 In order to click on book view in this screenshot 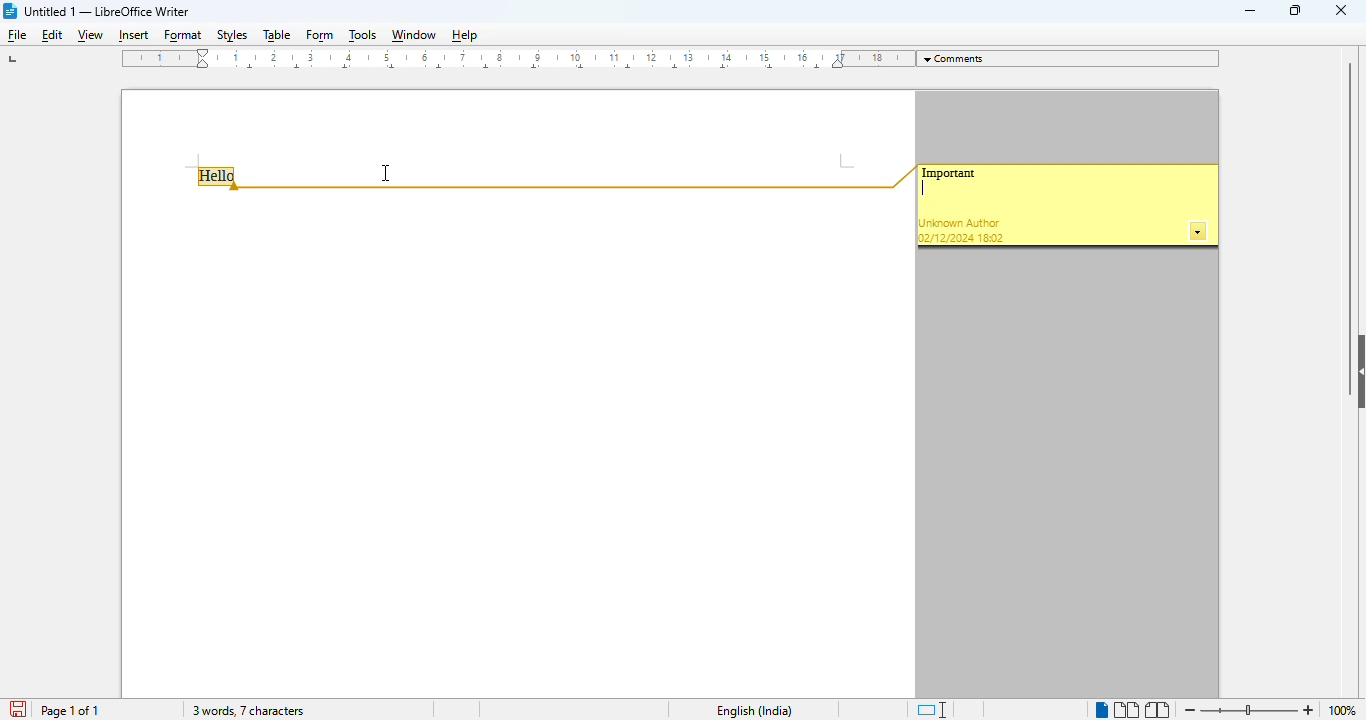, I will do `click(1158, 710)`.